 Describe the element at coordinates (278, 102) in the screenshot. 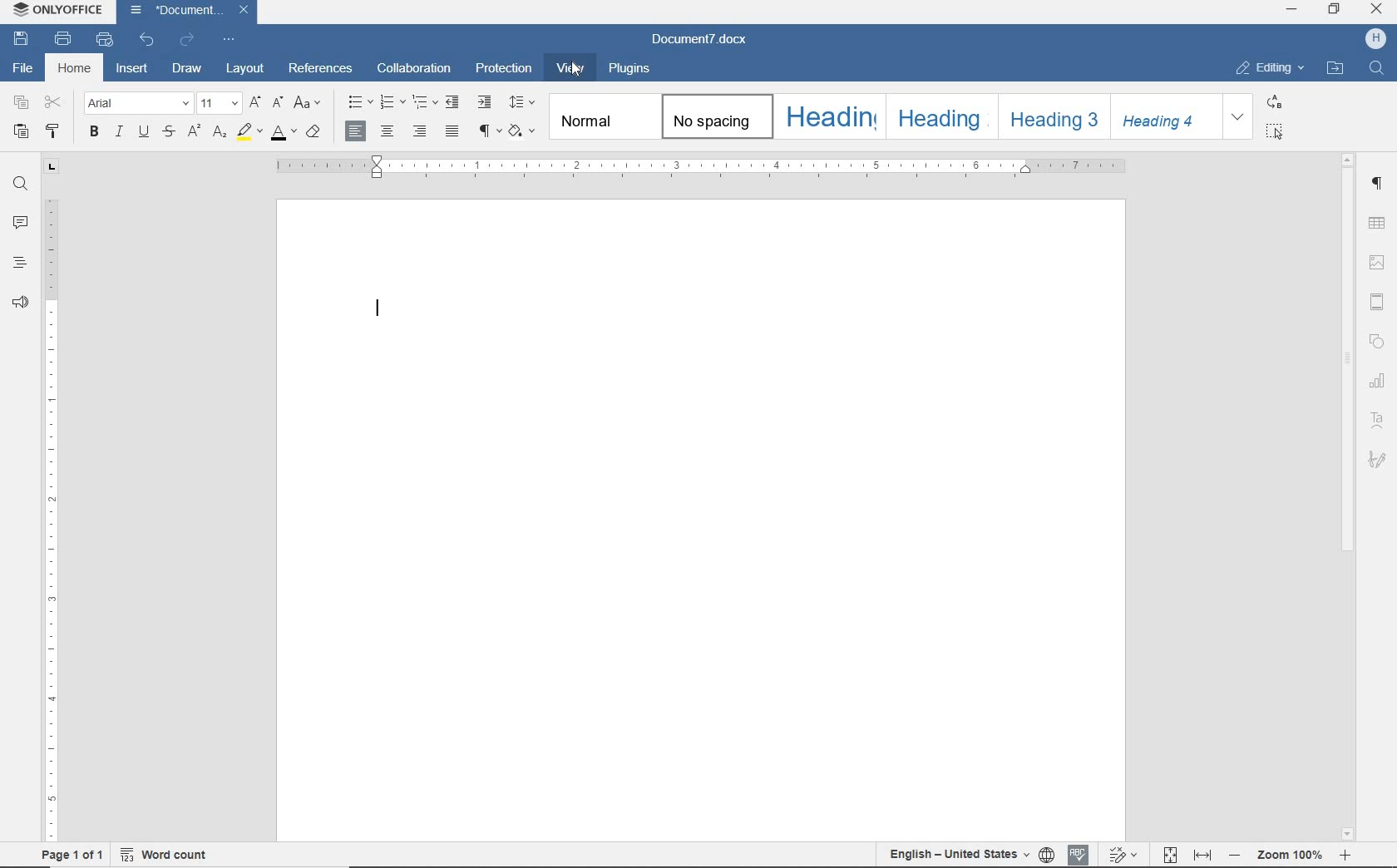

I see `DECREMENT FONT SIZE` at that location.